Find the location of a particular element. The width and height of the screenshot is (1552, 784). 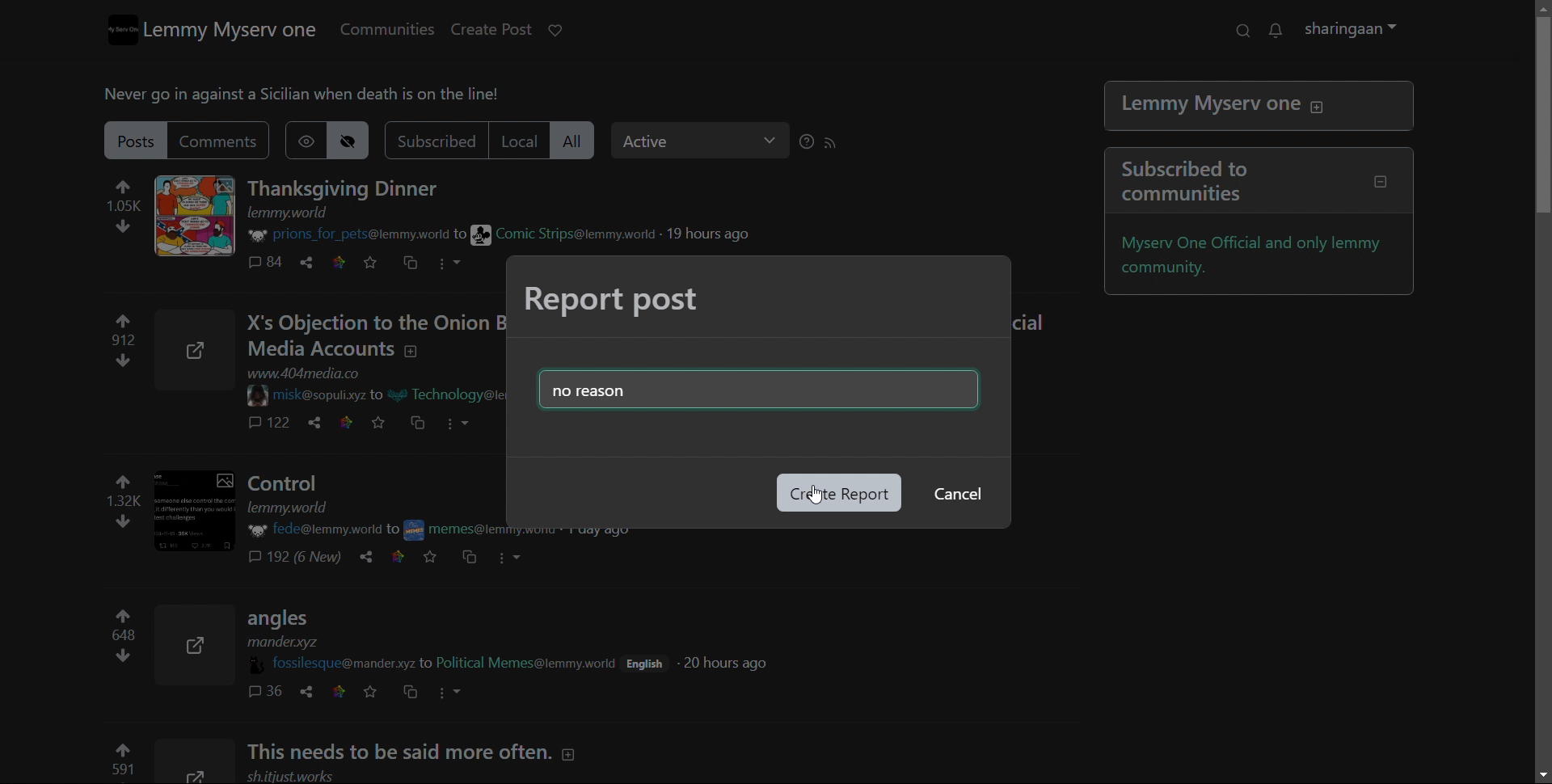

Active(select relevance) is located at coordinates (709, 141).